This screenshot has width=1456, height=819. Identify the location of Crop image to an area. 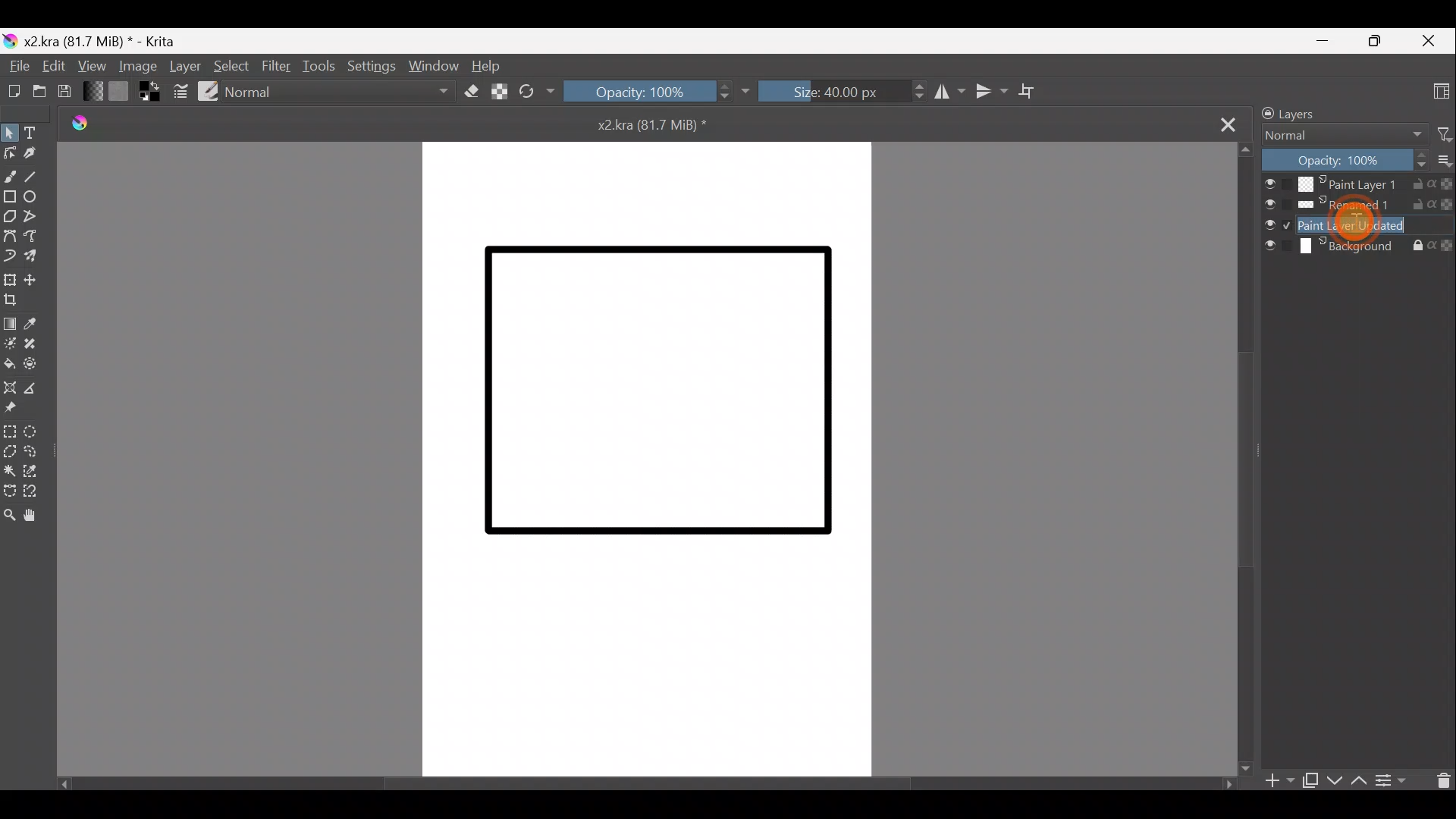
(14, 301).